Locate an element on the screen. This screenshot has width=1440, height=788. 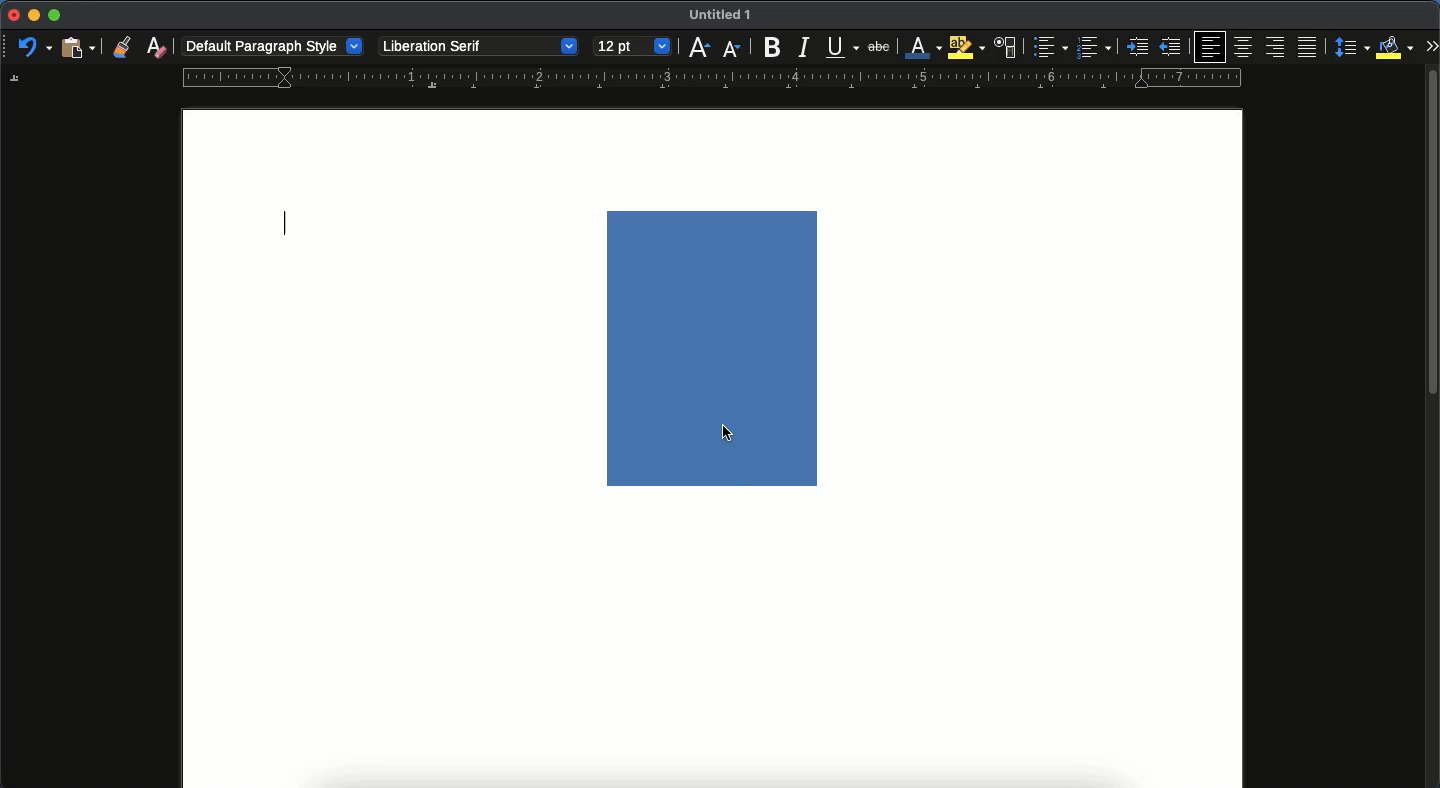
indented  is located at coordinates (1136, 48).